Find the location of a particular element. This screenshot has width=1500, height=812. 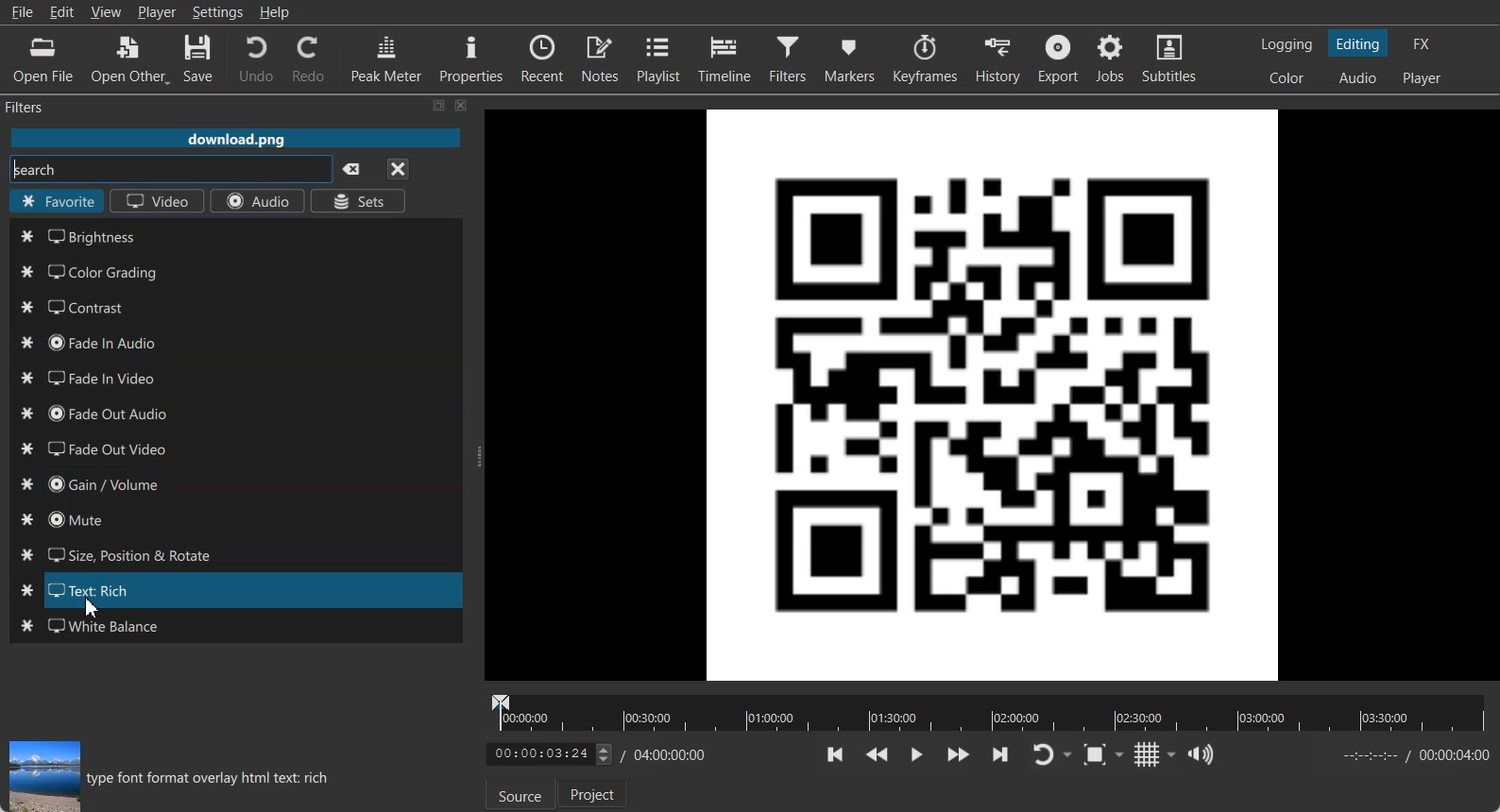

Switching to the Player only layout is located at coordinates (1423, 78).